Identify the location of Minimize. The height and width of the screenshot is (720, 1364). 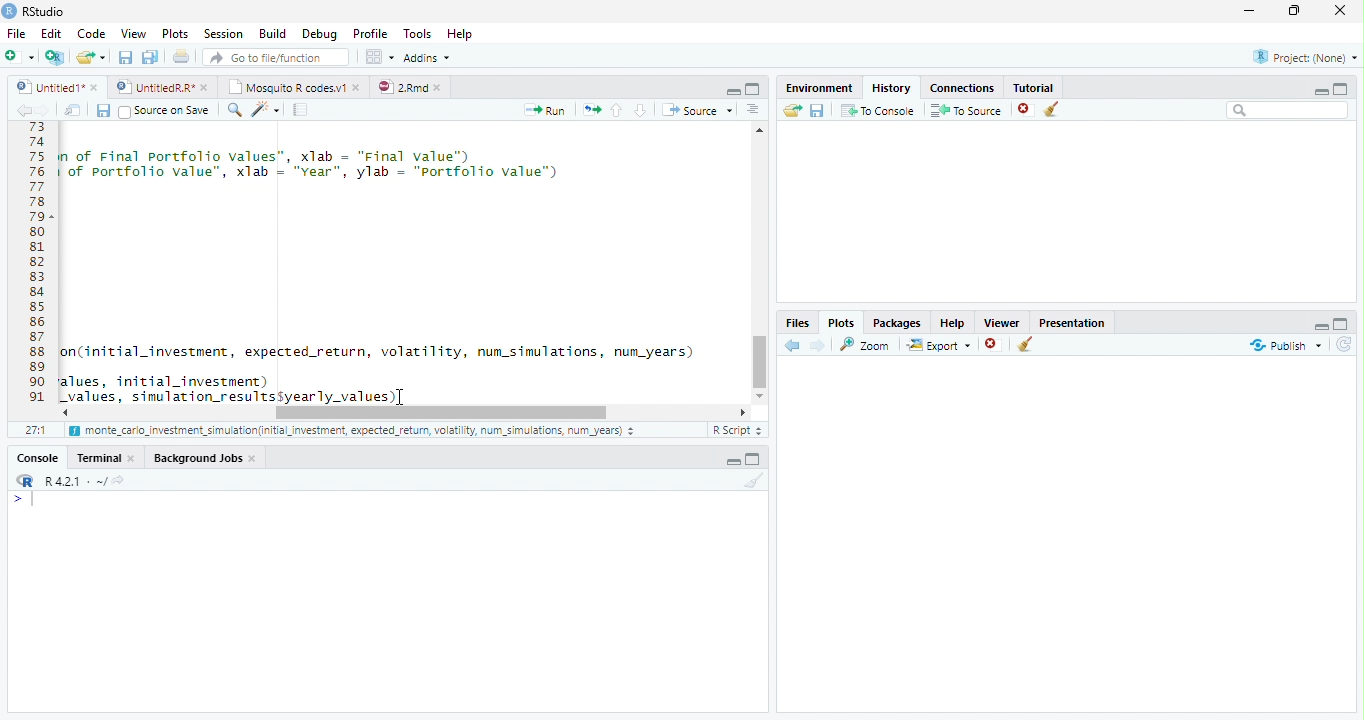
(1253, 12).